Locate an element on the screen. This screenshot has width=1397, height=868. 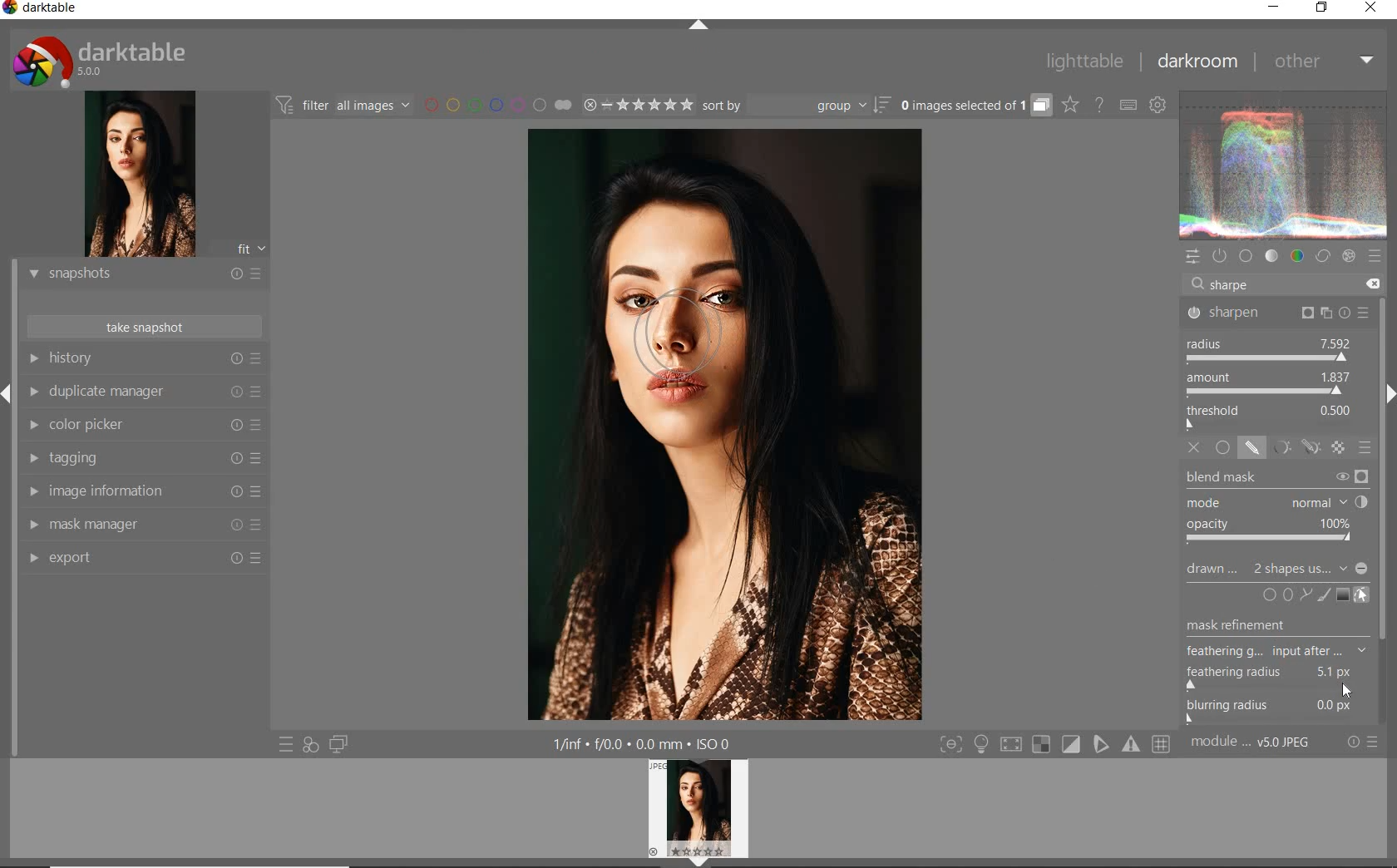
snapshots is located at coordinates (141, 275).